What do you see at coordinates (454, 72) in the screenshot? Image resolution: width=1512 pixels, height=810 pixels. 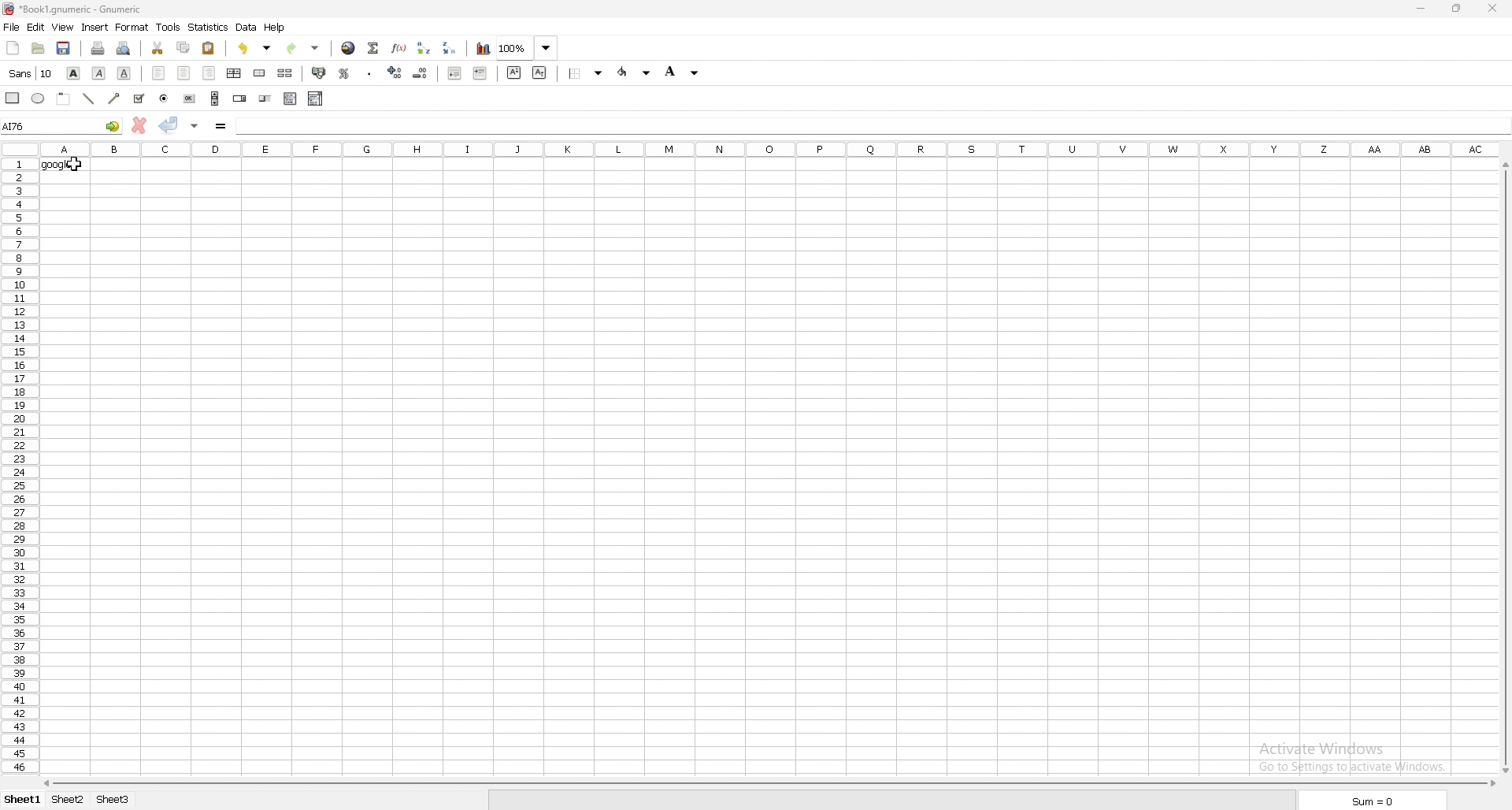 I see `decrease indent` at bounding box center [454, 72].